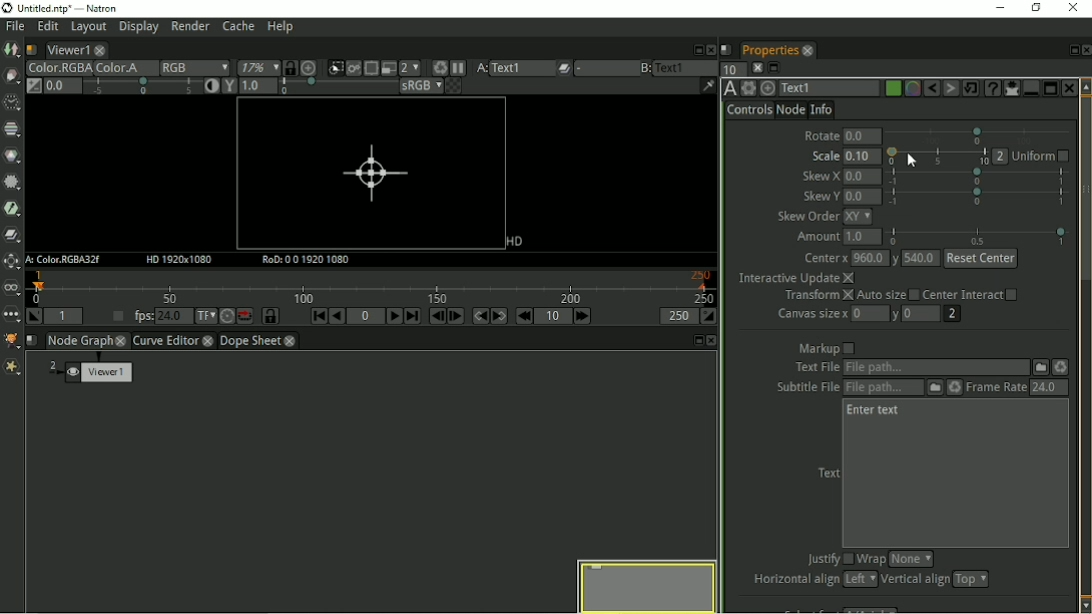  What do you see at coordinates (457, 67) in the screenshot?
I see `Pause updates` at bounding box center [457, 67].